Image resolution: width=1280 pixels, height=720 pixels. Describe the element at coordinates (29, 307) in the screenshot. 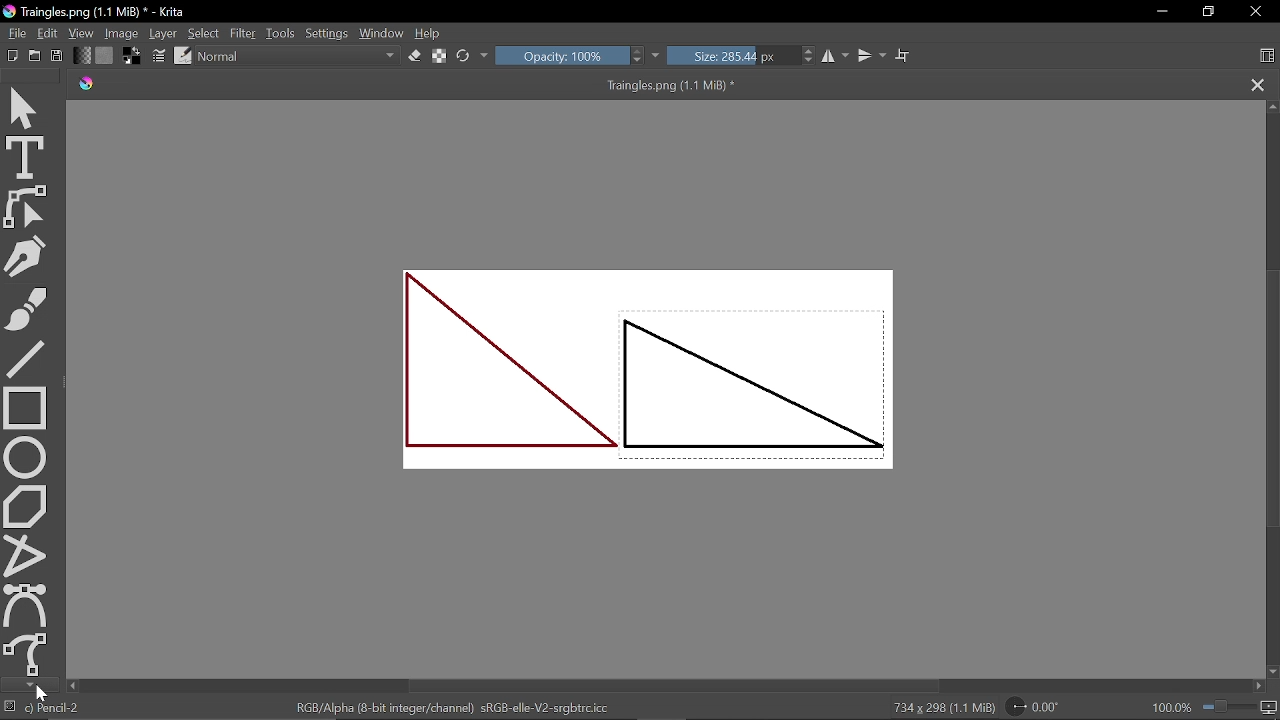

I see `Freehand brush tool` at that location.